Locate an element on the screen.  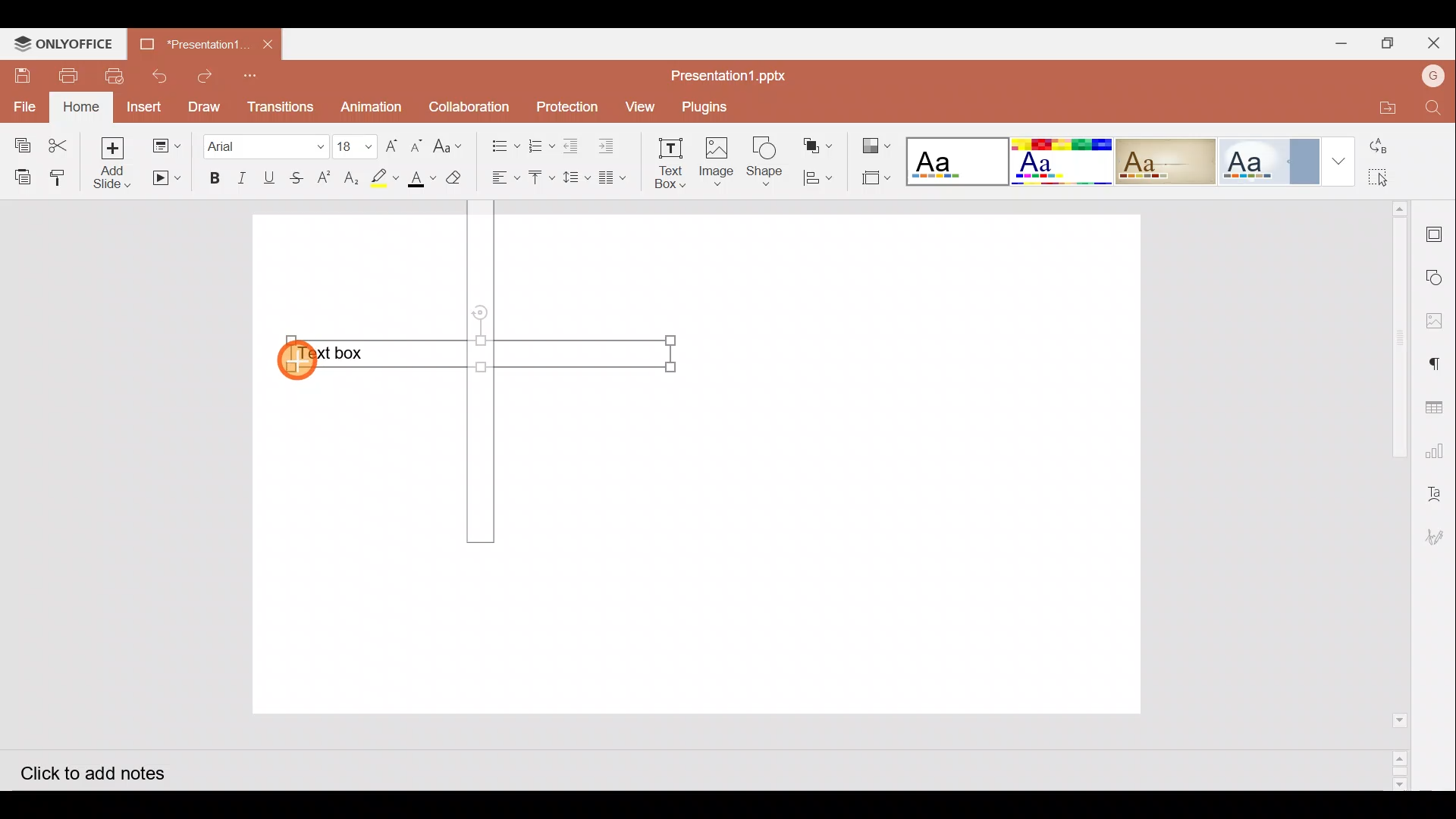
Copy is located at coordinates (19, 141).